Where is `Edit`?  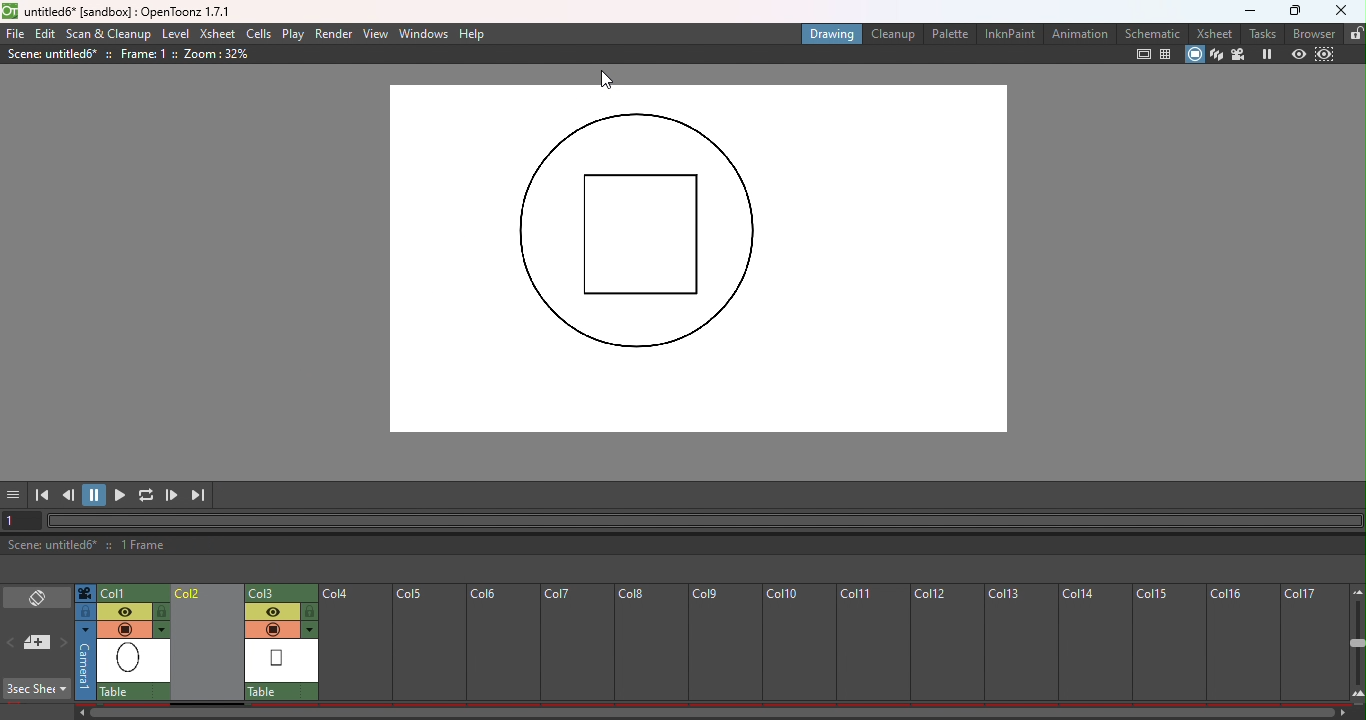 Edit is located at coordinates (47, 34).